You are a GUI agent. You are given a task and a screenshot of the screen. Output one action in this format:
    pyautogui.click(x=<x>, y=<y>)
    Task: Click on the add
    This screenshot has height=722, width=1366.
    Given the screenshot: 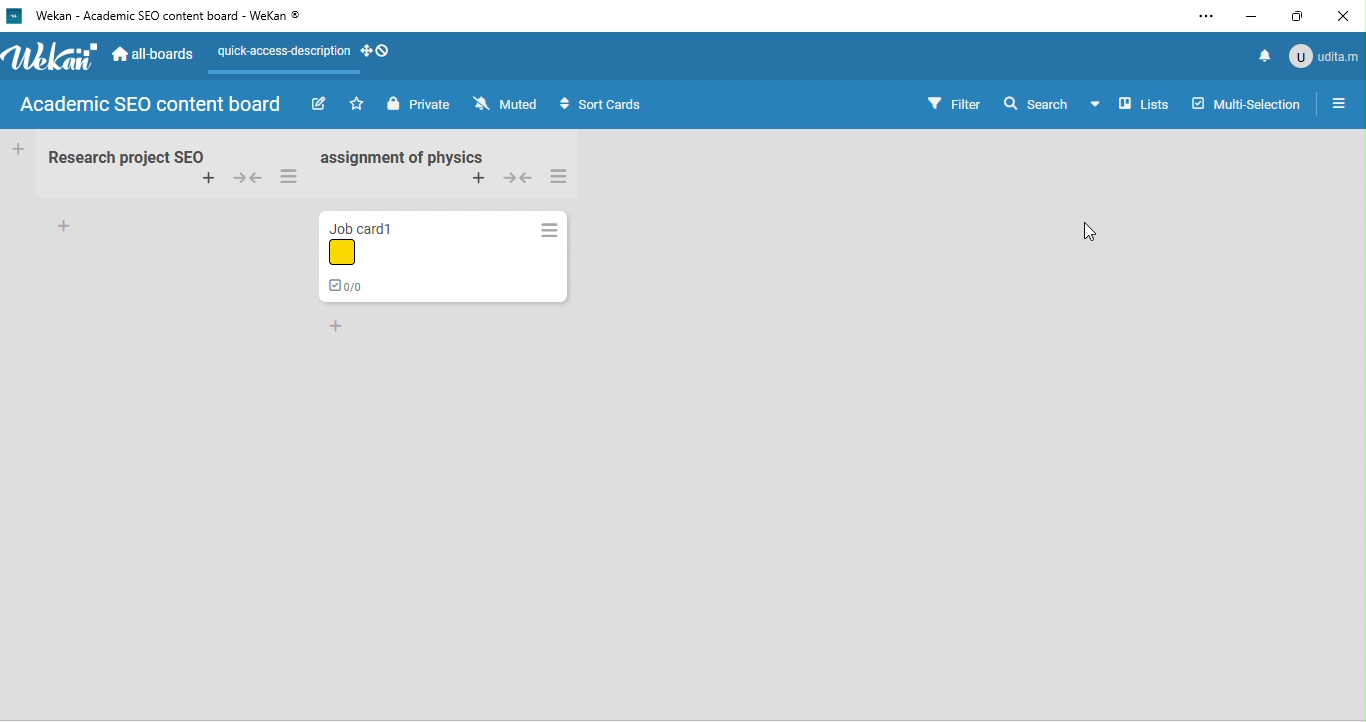 What is the action you would take?
    pyautogui.click(x=339, y=325)
    